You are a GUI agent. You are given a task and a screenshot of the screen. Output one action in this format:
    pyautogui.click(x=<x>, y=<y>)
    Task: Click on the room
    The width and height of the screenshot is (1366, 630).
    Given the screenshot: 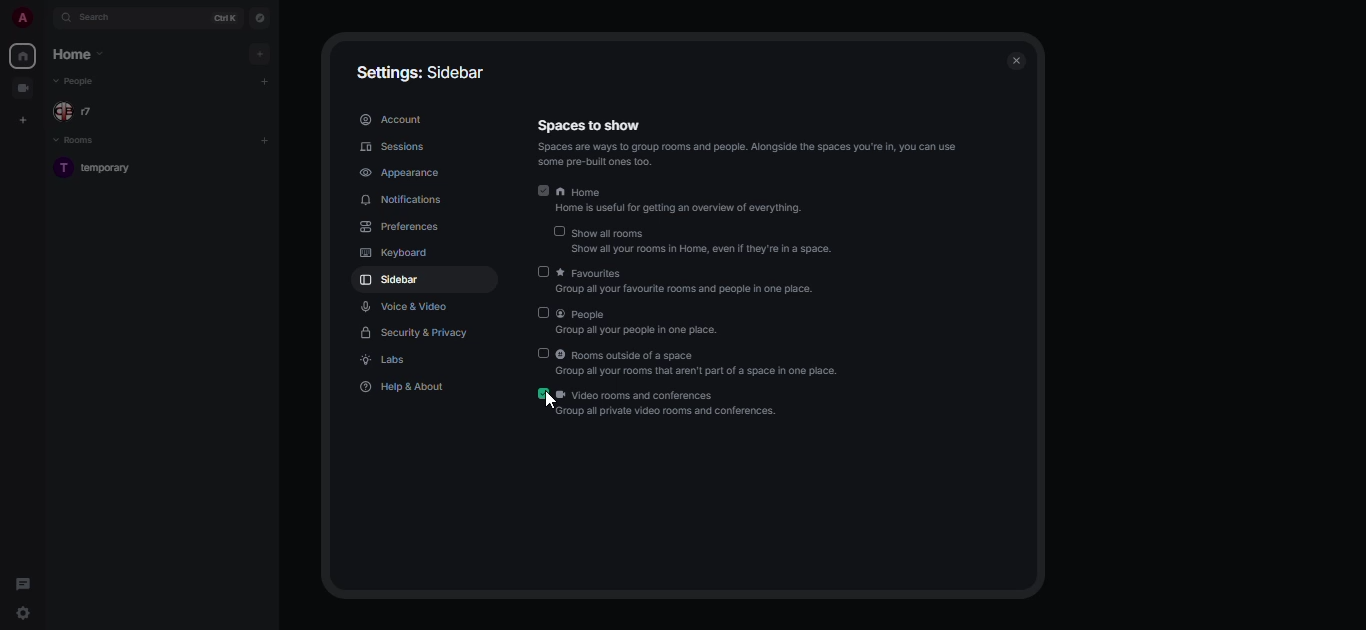 What is the action you would take?
    pyautogui.click(x=98, y=169)
    